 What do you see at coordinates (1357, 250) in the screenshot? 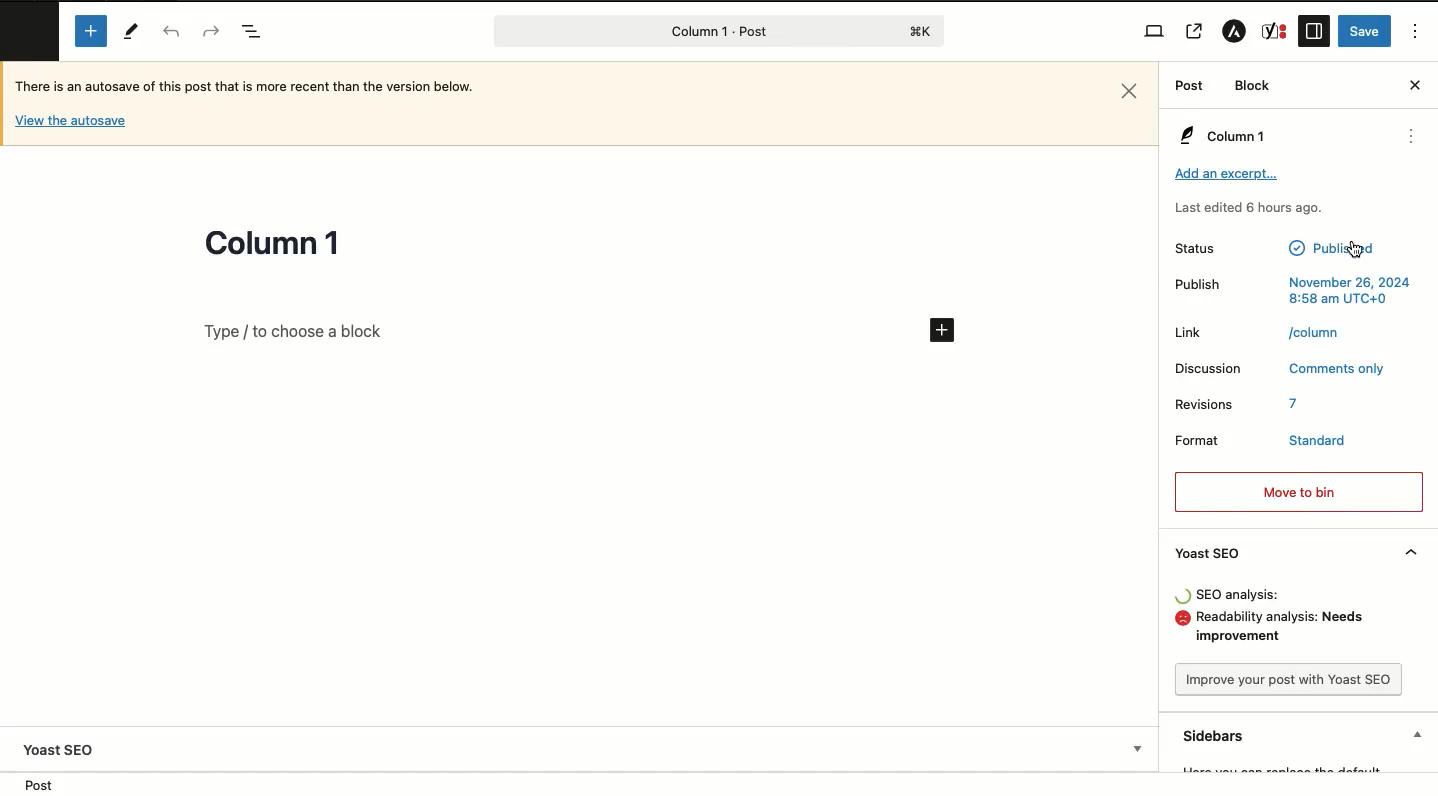
I see `cursor` at bounding box center [1357, 250].